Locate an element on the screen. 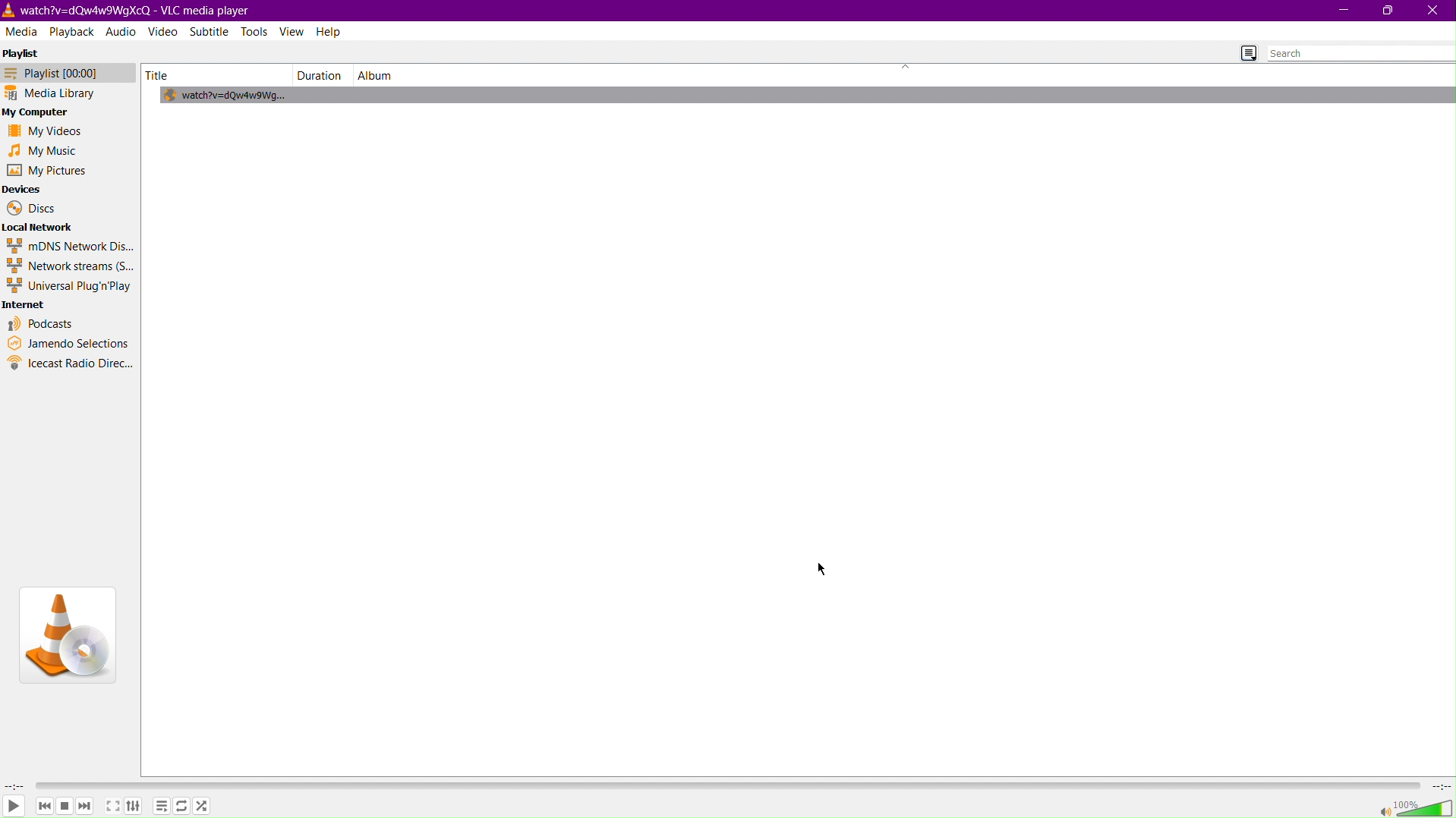 The height and width of the screenshot is (818, 1456). Toggle Loop is located at coordinates (180, 807).